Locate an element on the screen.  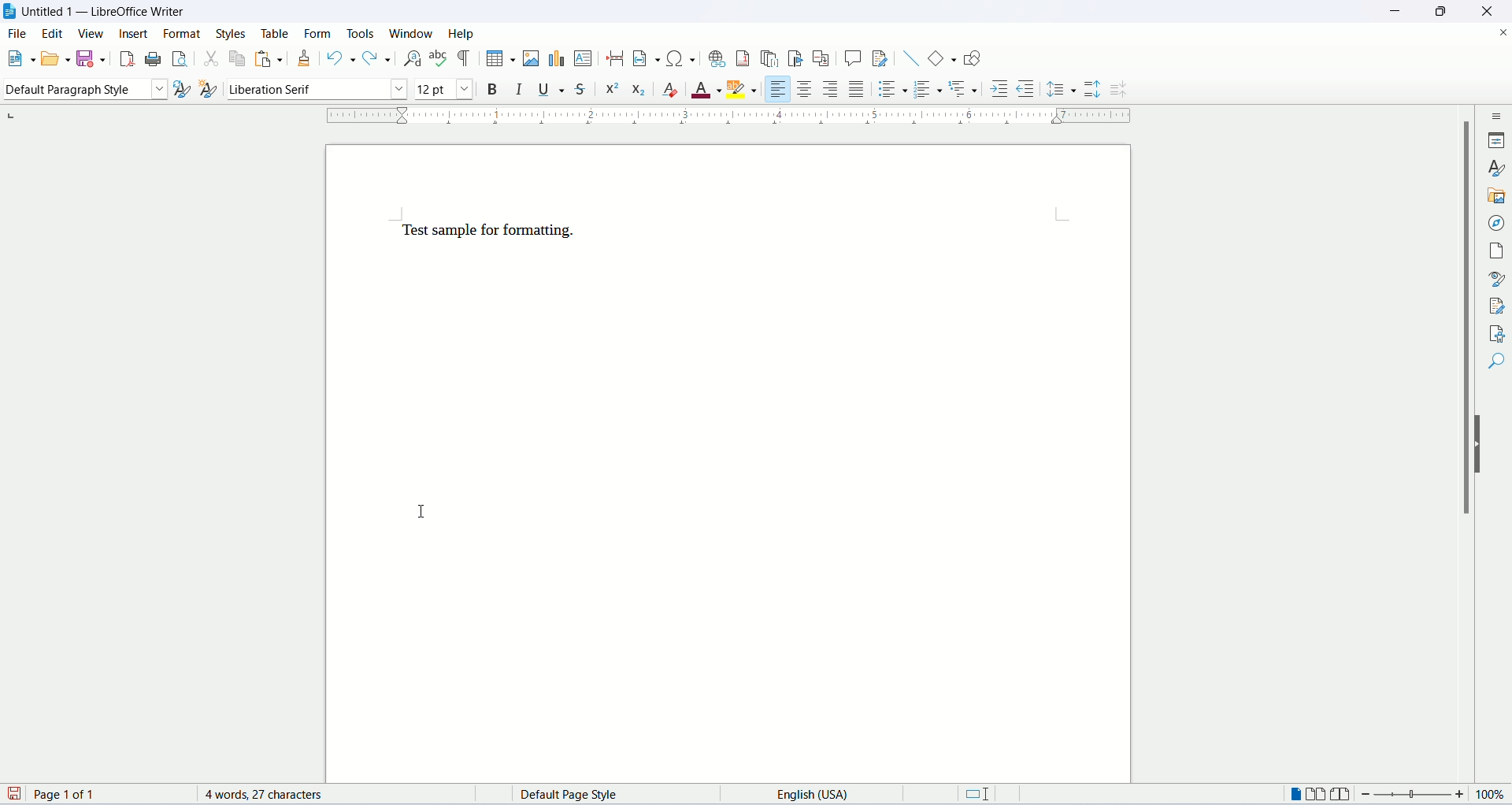
align right is located at coordinates (832, 88).